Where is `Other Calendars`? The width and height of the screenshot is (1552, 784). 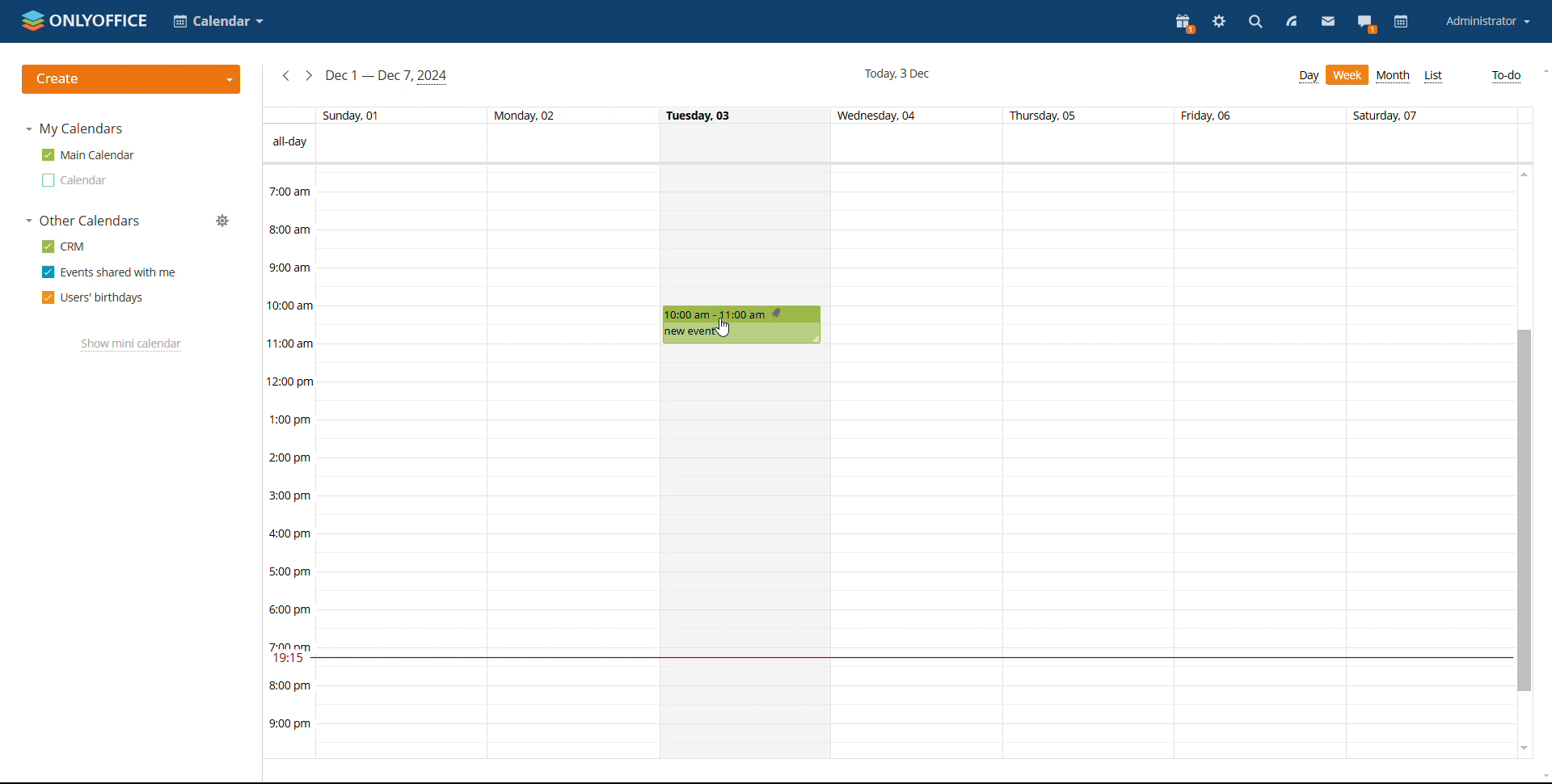 Other Calendars is located at coordinates (84, 221).